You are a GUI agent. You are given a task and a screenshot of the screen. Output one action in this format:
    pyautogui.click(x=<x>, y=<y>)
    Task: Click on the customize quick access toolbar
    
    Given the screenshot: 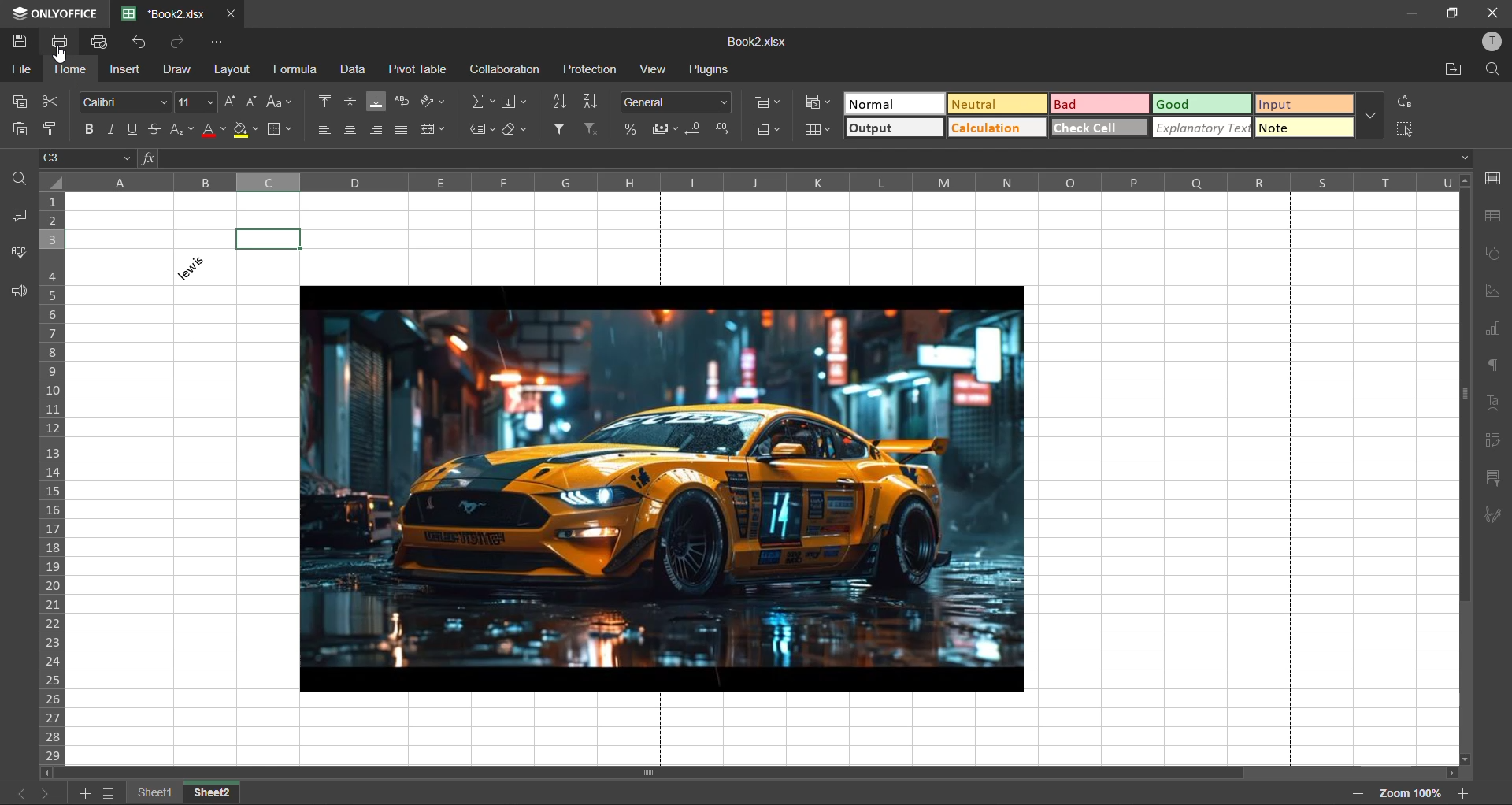 What is the action you would take?
    pyautogui.click(x=212, y=42)
    